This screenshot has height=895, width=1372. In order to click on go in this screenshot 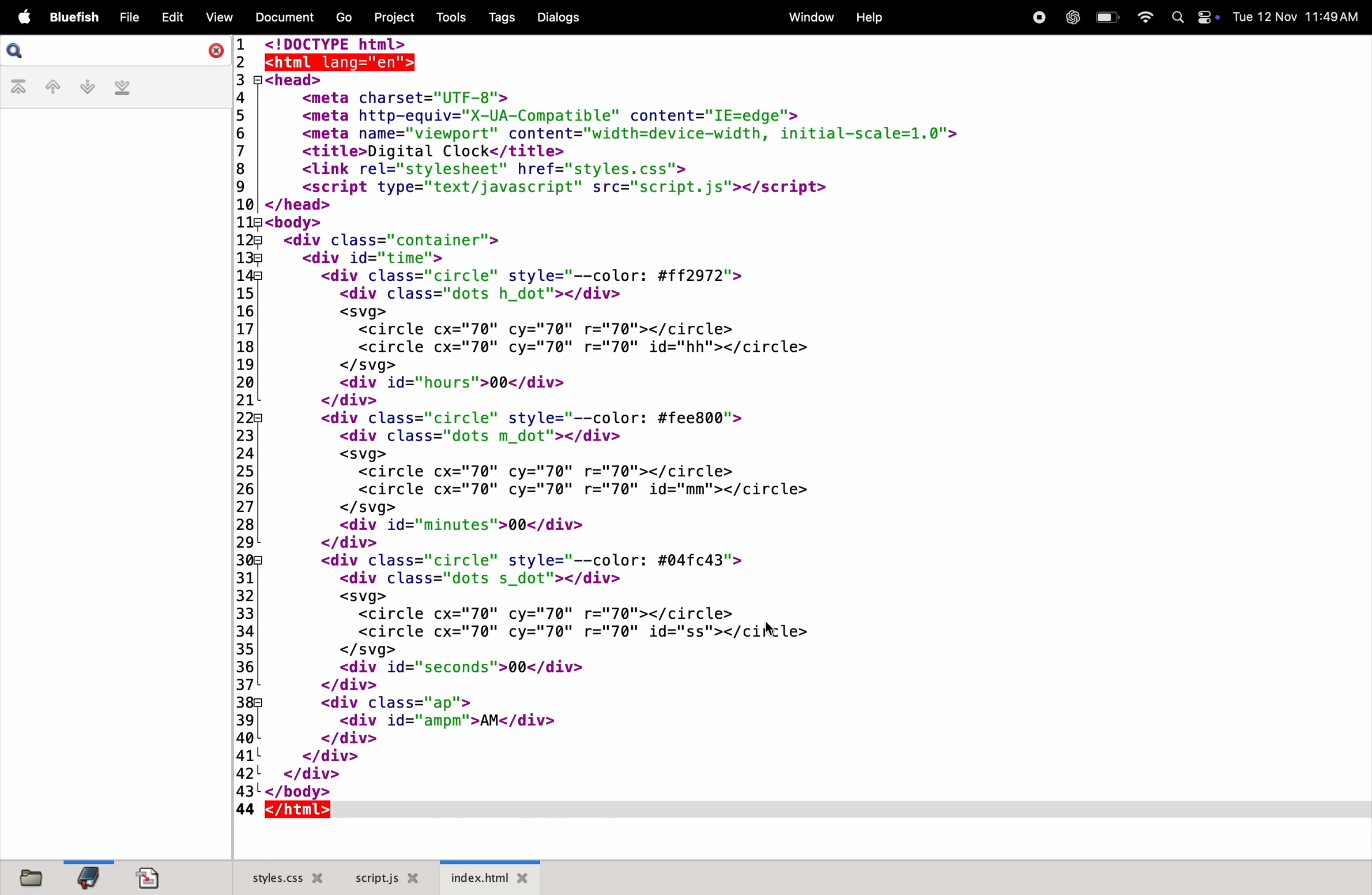, I will do `click(344, 16)`.